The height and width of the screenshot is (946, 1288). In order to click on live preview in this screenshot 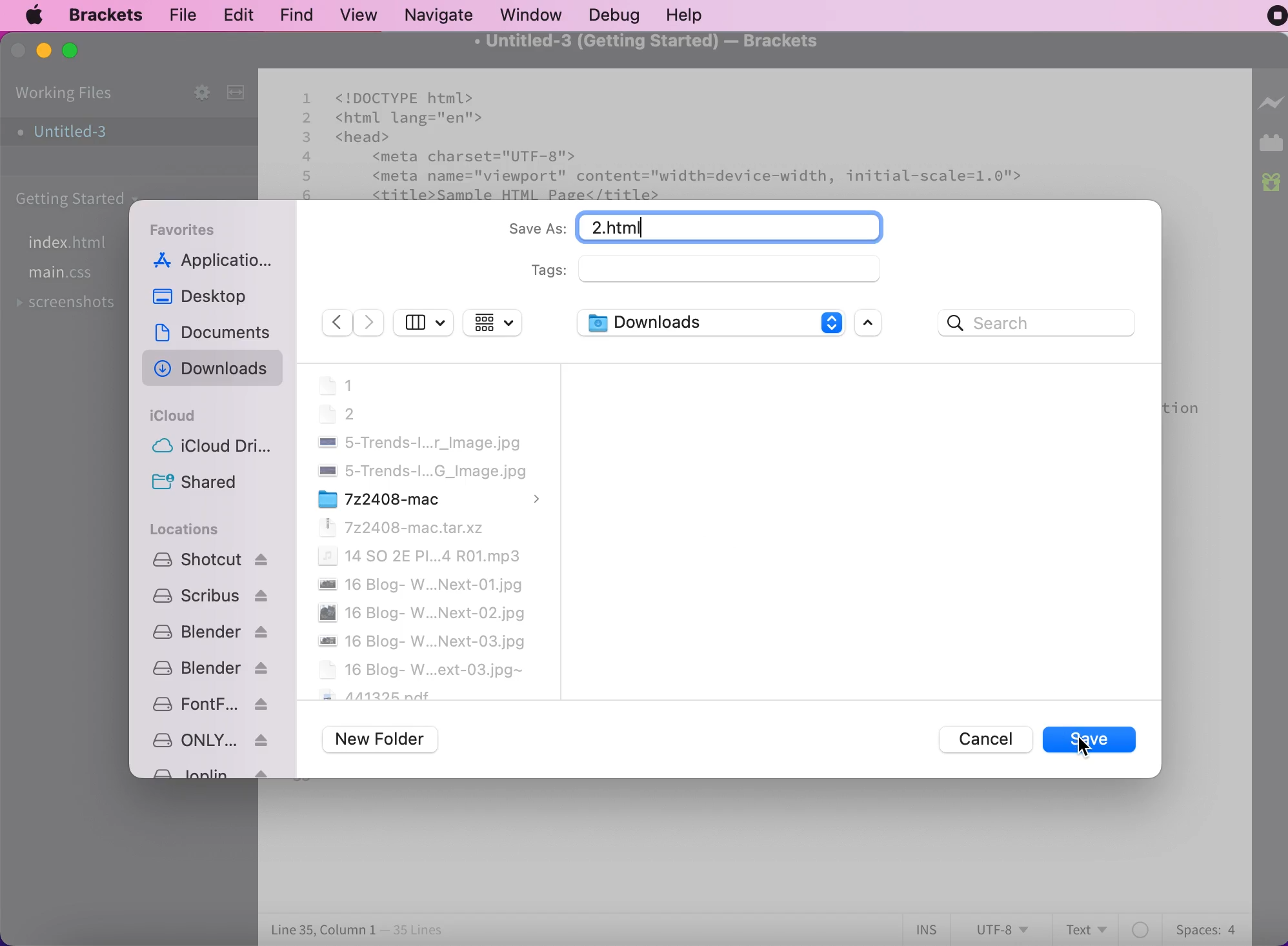, I will do `click(1269, 103)`.